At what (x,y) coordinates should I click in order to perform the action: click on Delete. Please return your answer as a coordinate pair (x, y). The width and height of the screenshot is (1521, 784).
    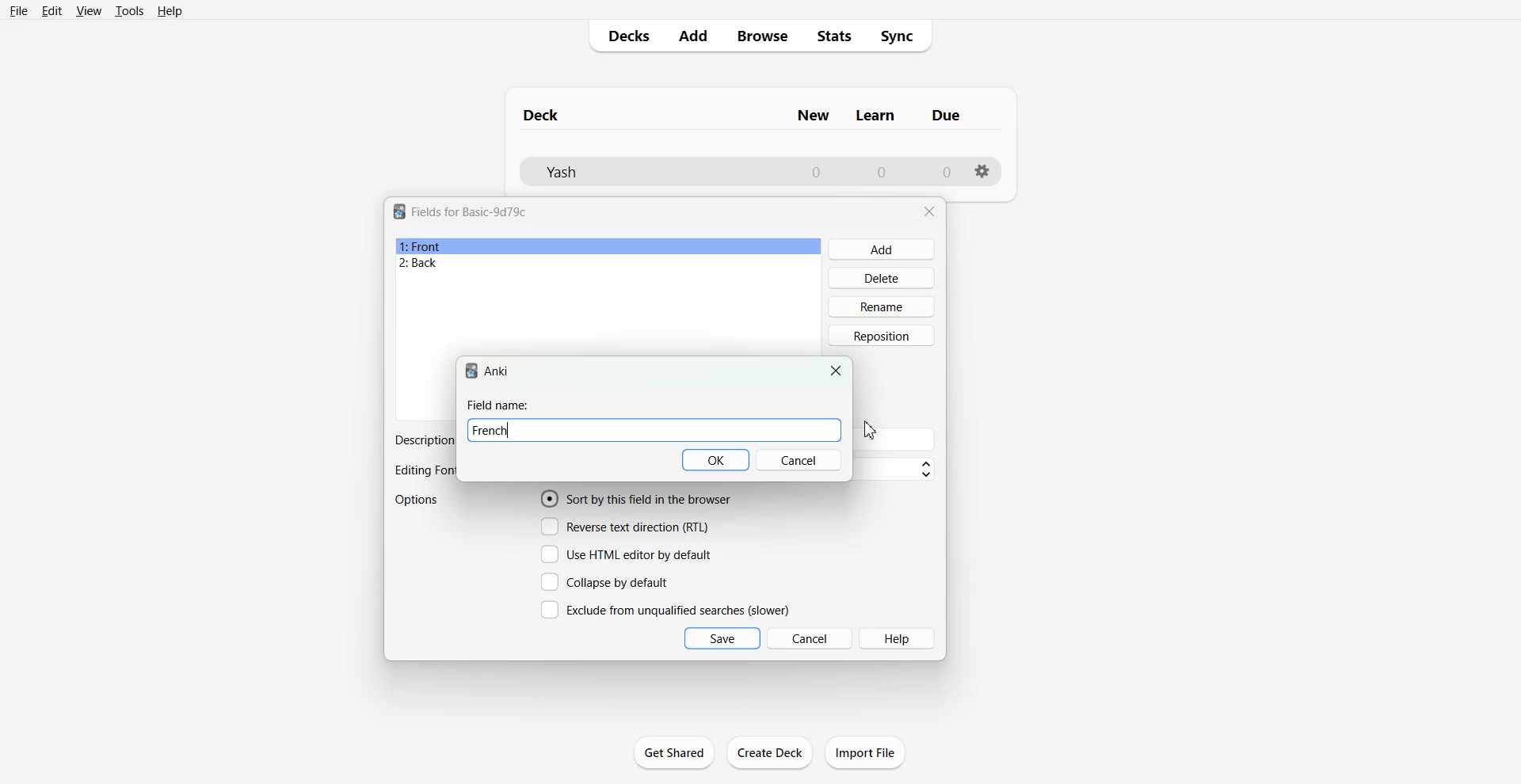
    Looking at the image, I should click on (882, 277).